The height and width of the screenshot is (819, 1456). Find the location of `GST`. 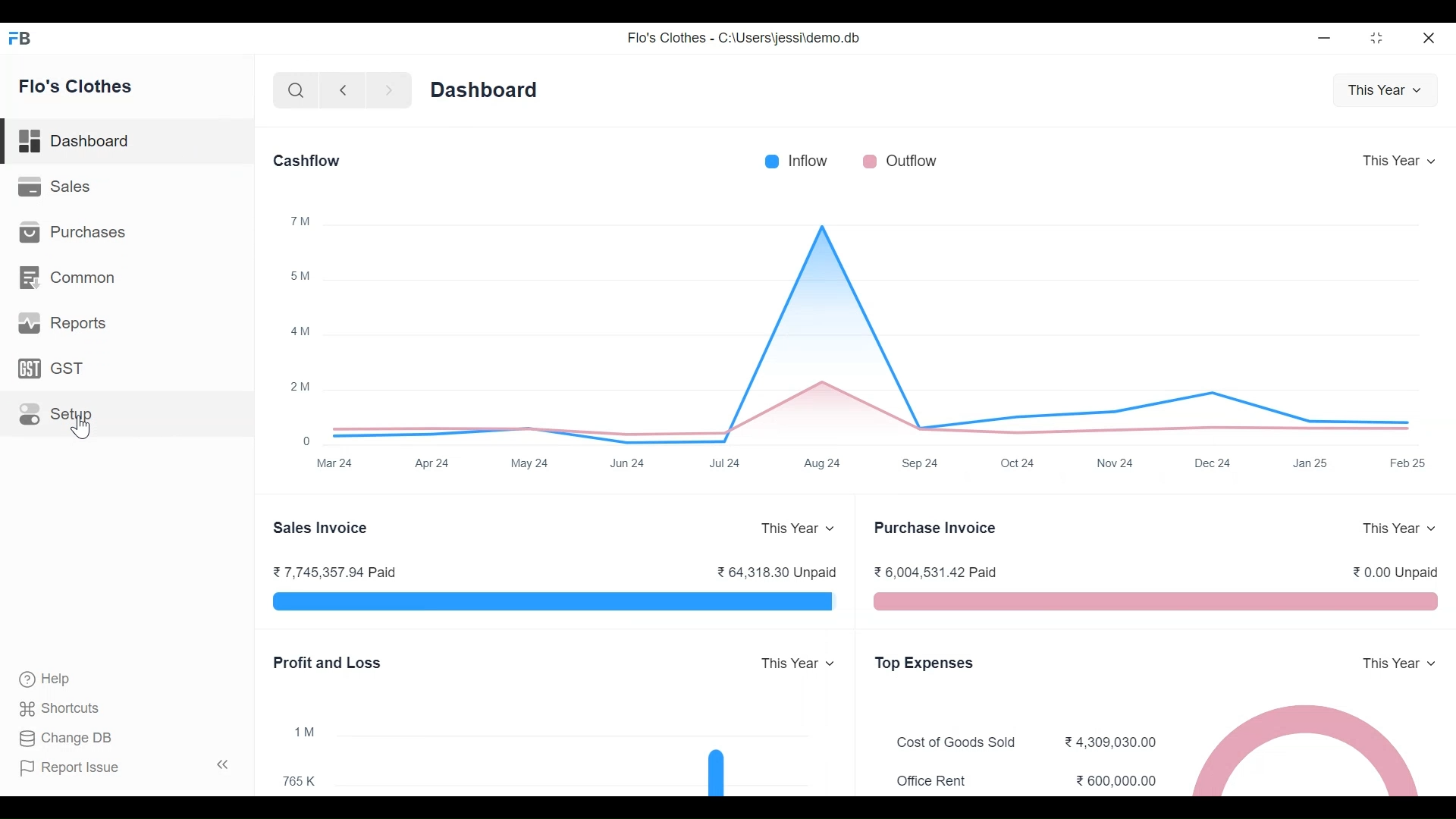

GST is located at coordinates (50, 368).